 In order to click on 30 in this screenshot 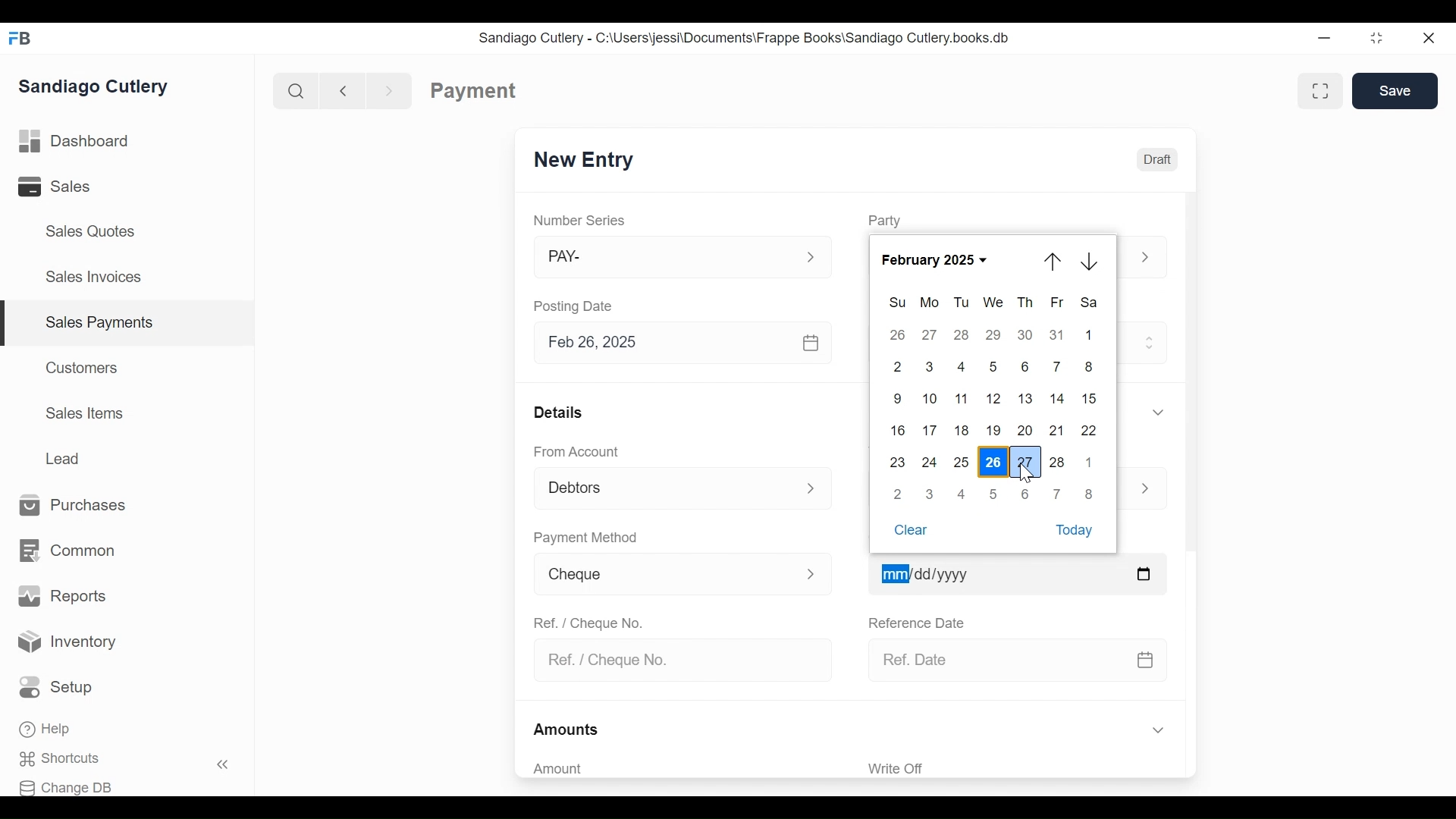, I will do `click(1027, 334)`.